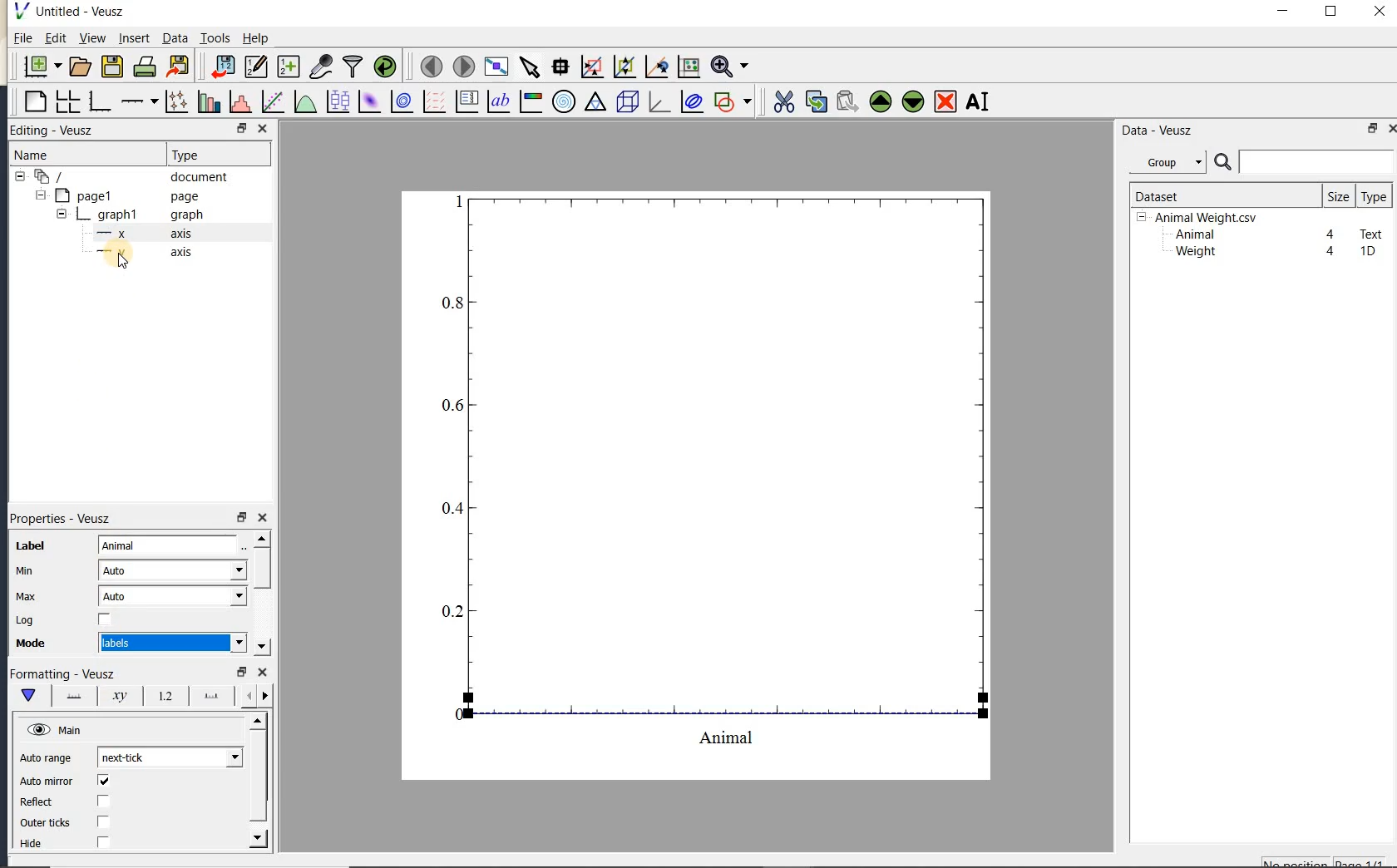 This screenshot has height=868, width=1397. Describe the element at coordinates (847, 103) in the screenshot. I see `paste widget from the clipboard` at that location.